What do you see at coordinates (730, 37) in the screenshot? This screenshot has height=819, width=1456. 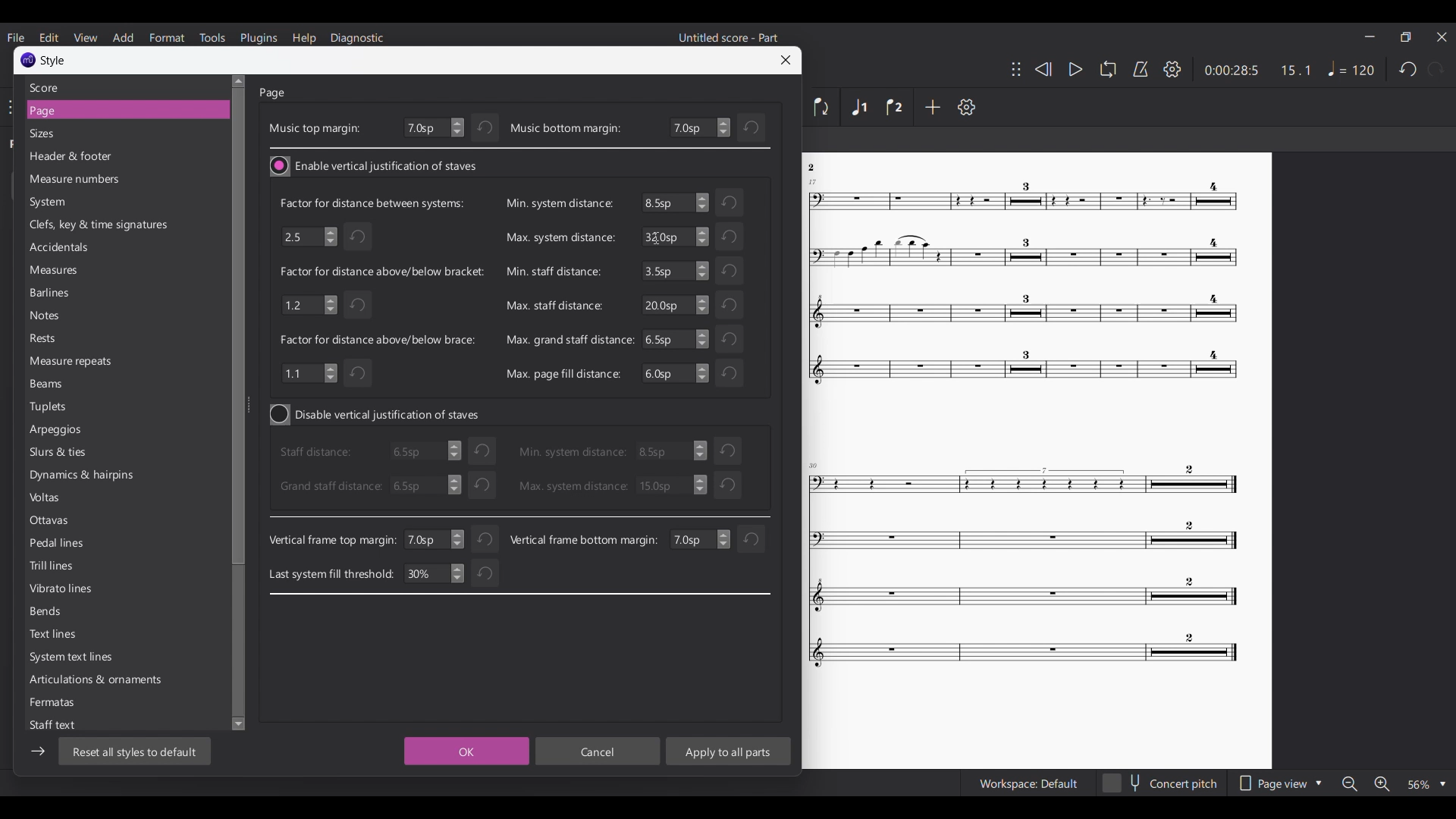 I see `Untitled score - Part` at bounding box center [730, 37].